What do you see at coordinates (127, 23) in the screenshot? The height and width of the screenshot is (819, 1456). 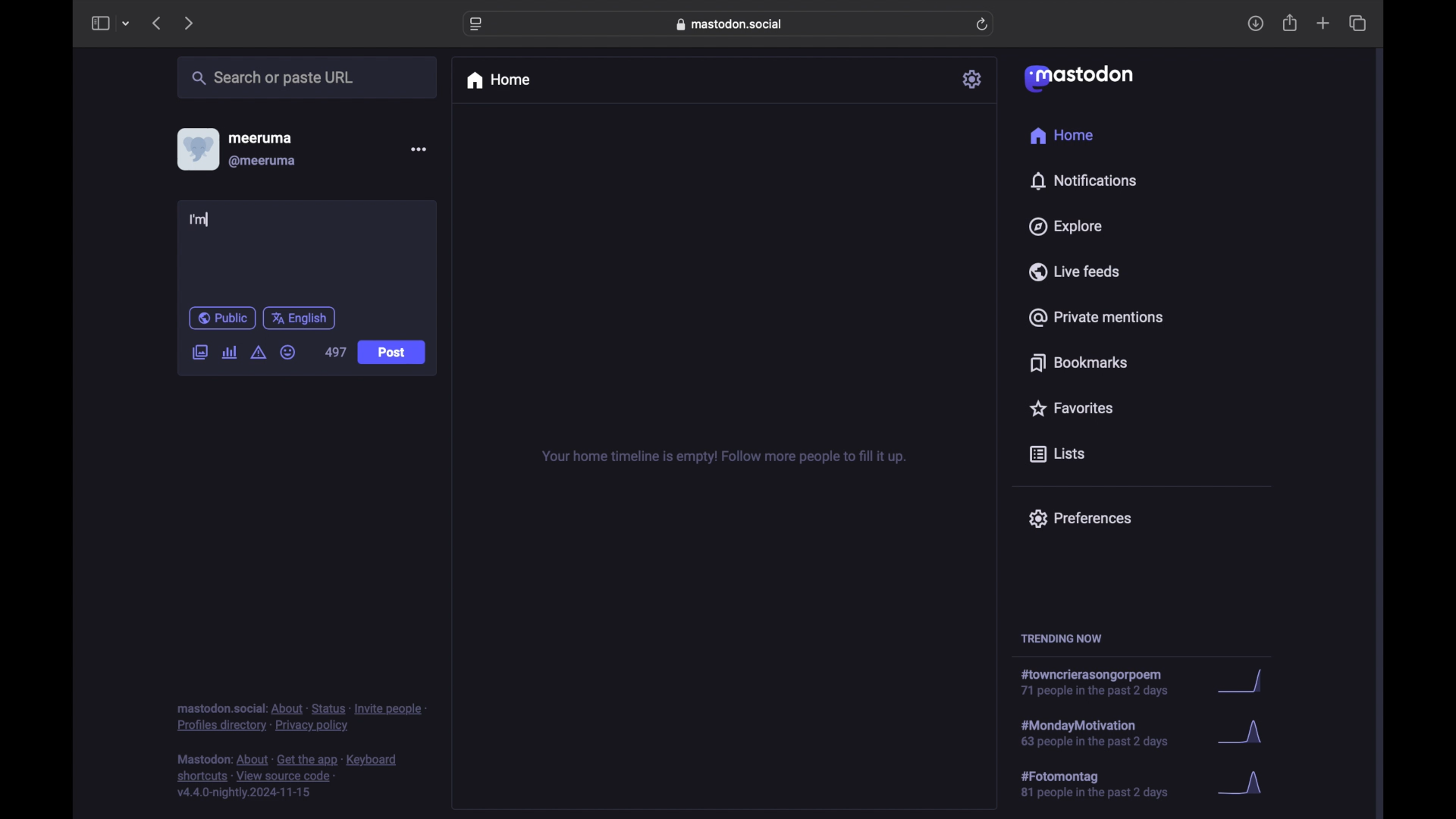 I see `tab group picker` at bounding box center [127, 23].